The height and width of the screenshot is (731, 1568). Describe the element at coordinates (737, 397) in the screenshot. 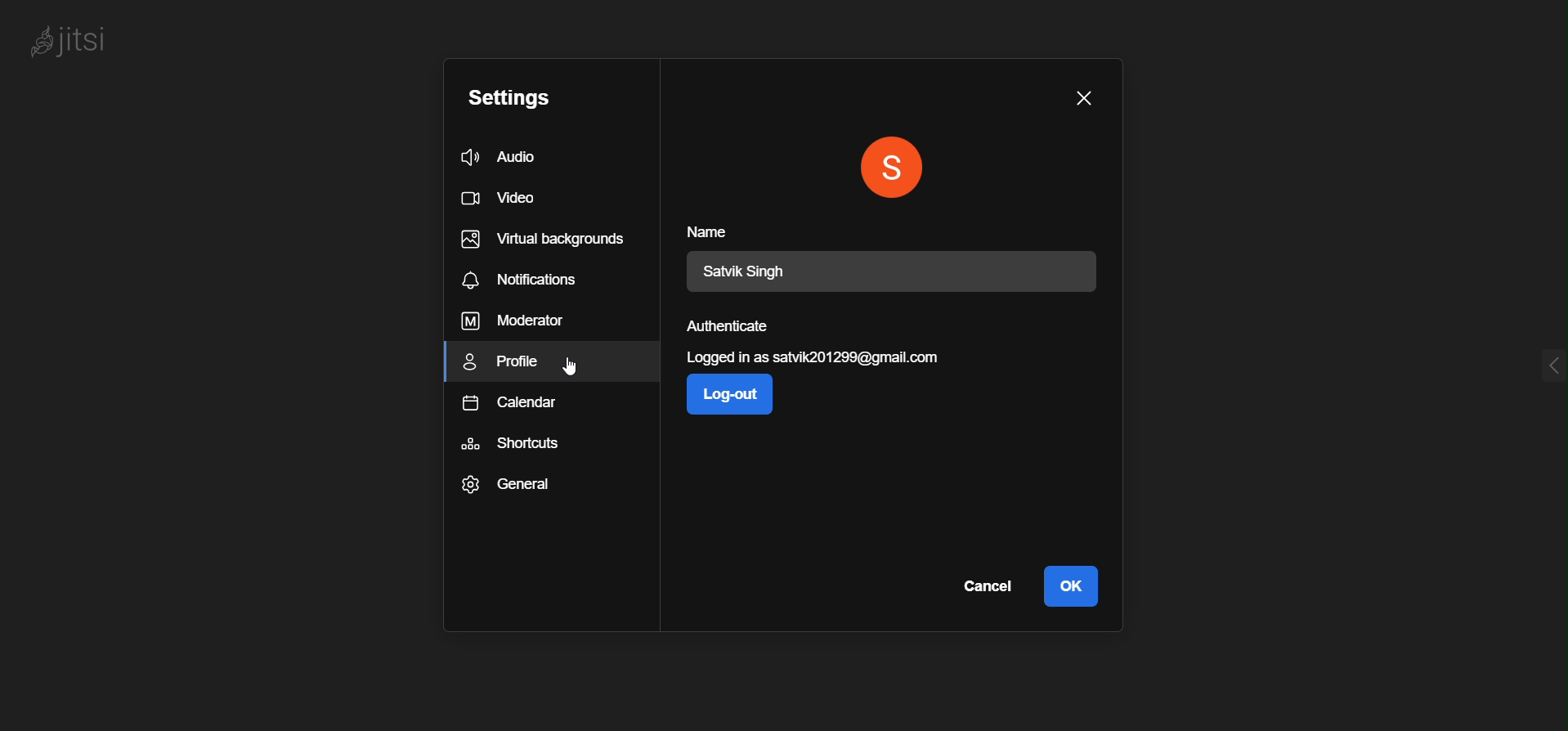

I see `logout` at that location.